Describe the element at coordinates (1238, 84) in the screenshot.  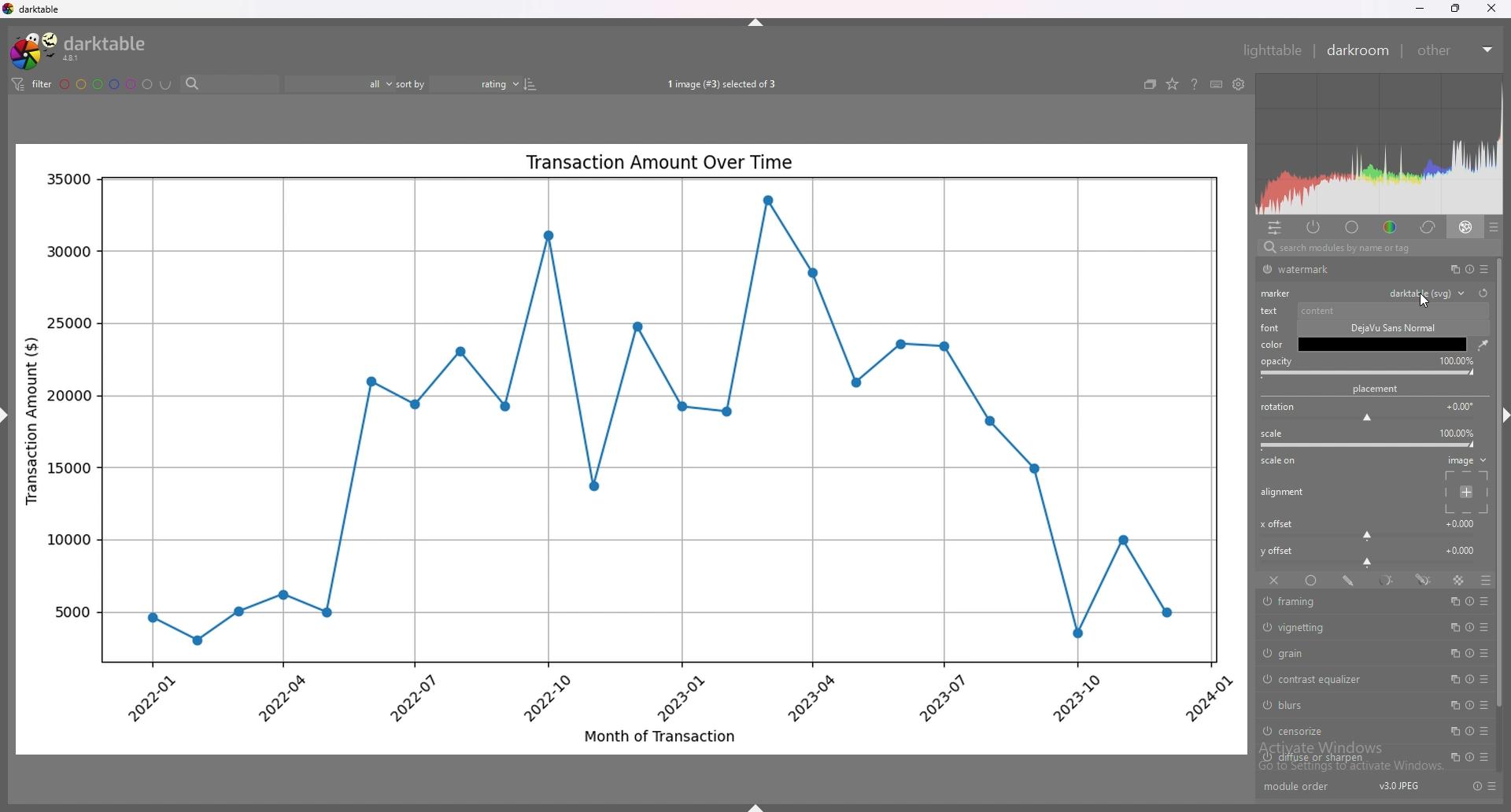
I see `show global preferences` at that location.